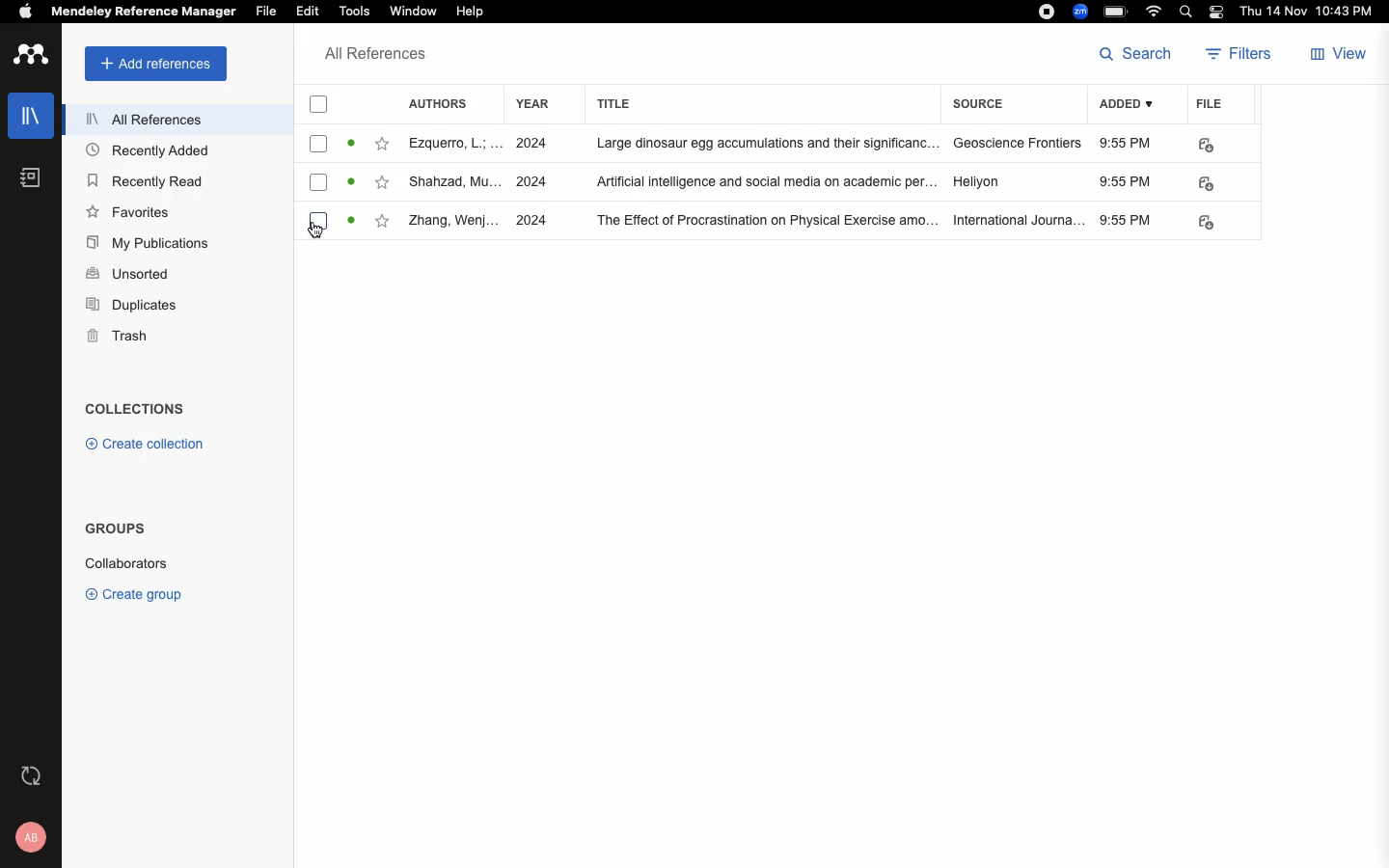 This screenshot has height=868, width=1389. What do you see at coordinates (1126, 140) in the screenshot?
I see `9:55 PM` at bounding box center [1126, 140].